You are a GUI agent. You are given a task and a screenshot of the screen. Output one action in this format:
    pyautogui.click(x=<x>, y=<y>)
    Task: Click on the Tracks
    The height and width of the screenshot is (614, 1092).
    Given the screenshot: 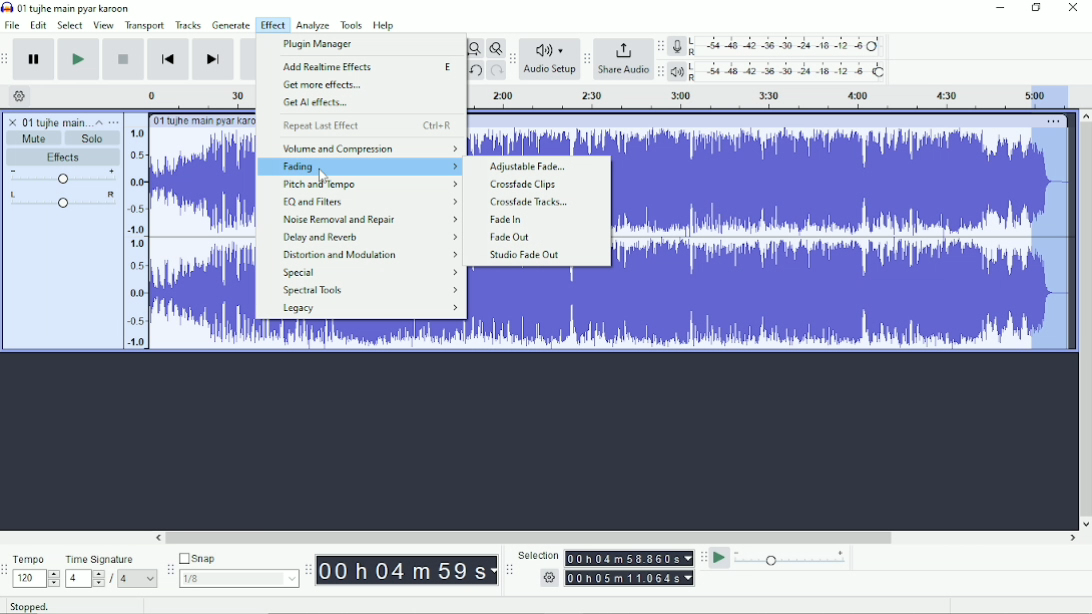 What is the action you would take?
    pyautogui.click(x=189, y=25)
    